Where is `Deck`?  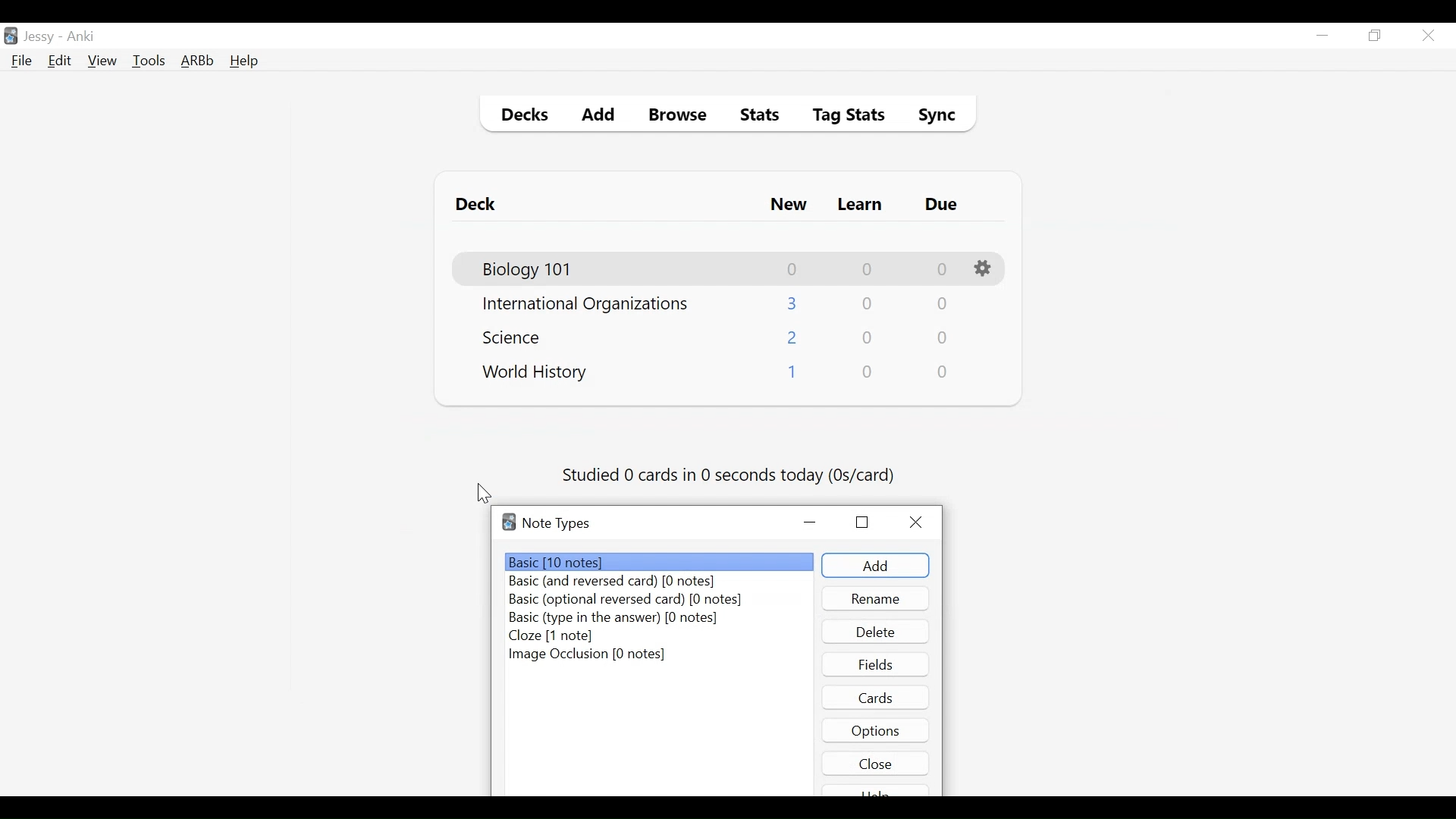
Deck is located at coordinates (479, 205).